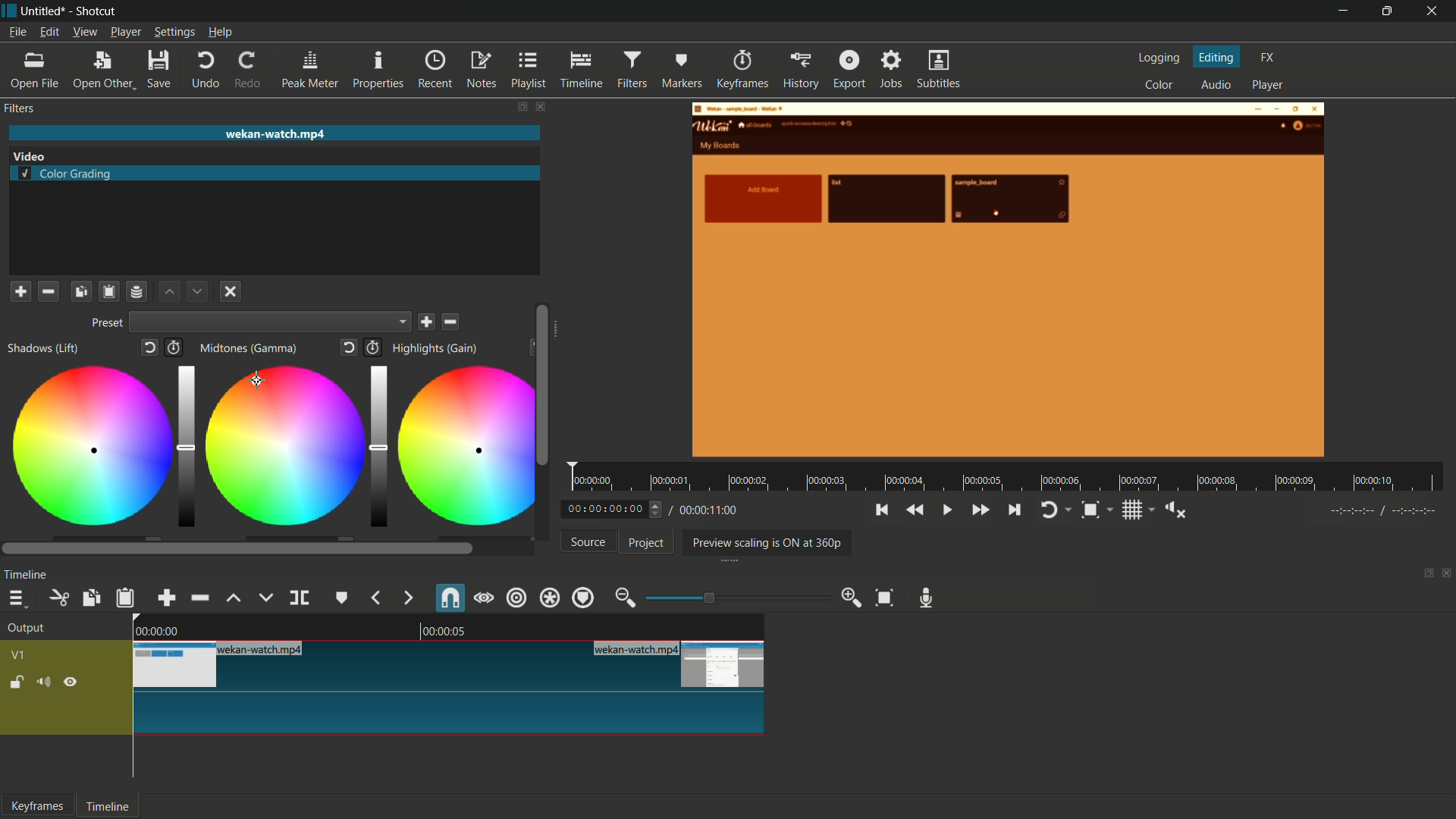 Image resolution: width=1456 pixels, height=819 pixels. Describe the element at coordinates (250, 70) in the screenshot. I see `redo` at that location.